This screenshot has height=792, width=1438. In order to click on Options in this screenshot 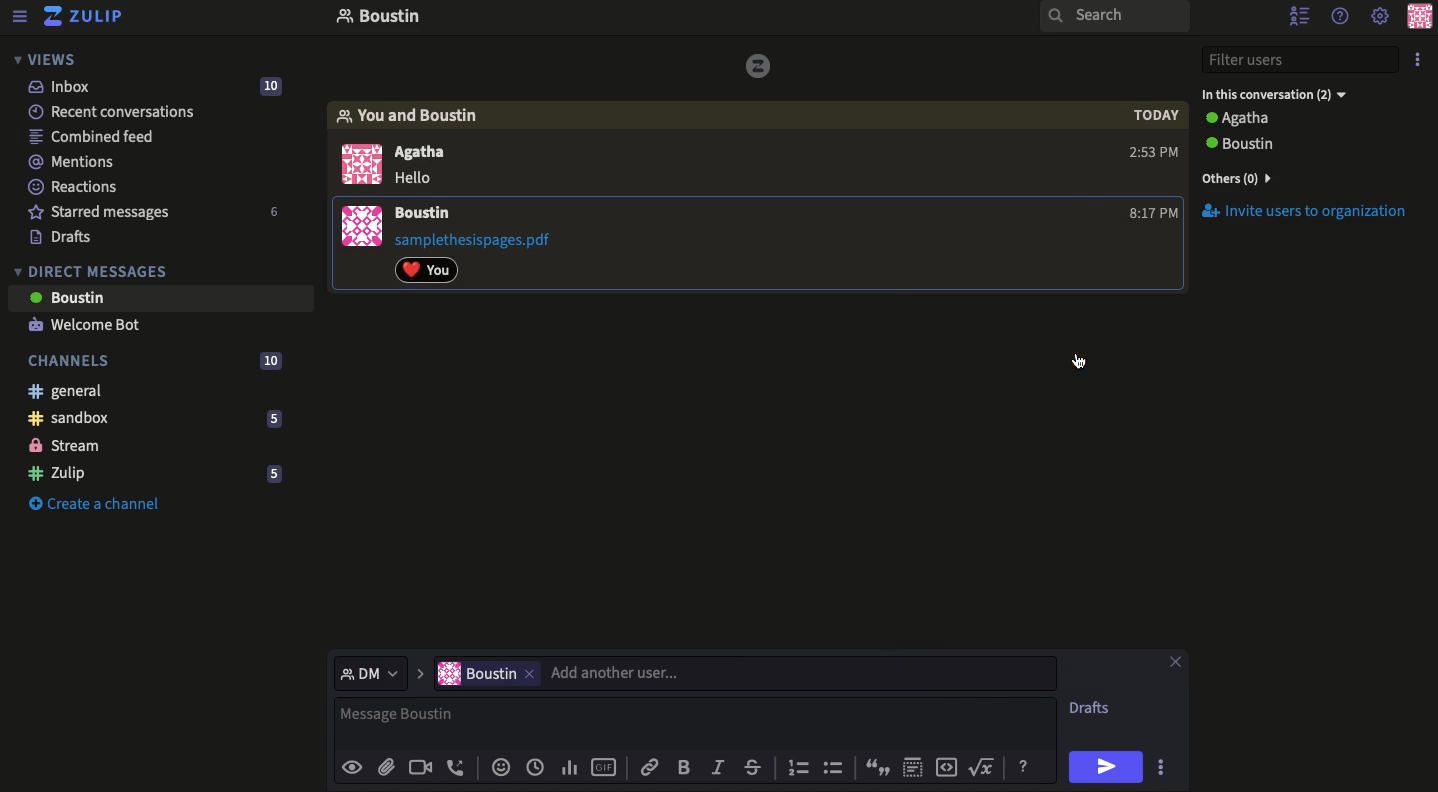, I will do `click(1160, 766)`.